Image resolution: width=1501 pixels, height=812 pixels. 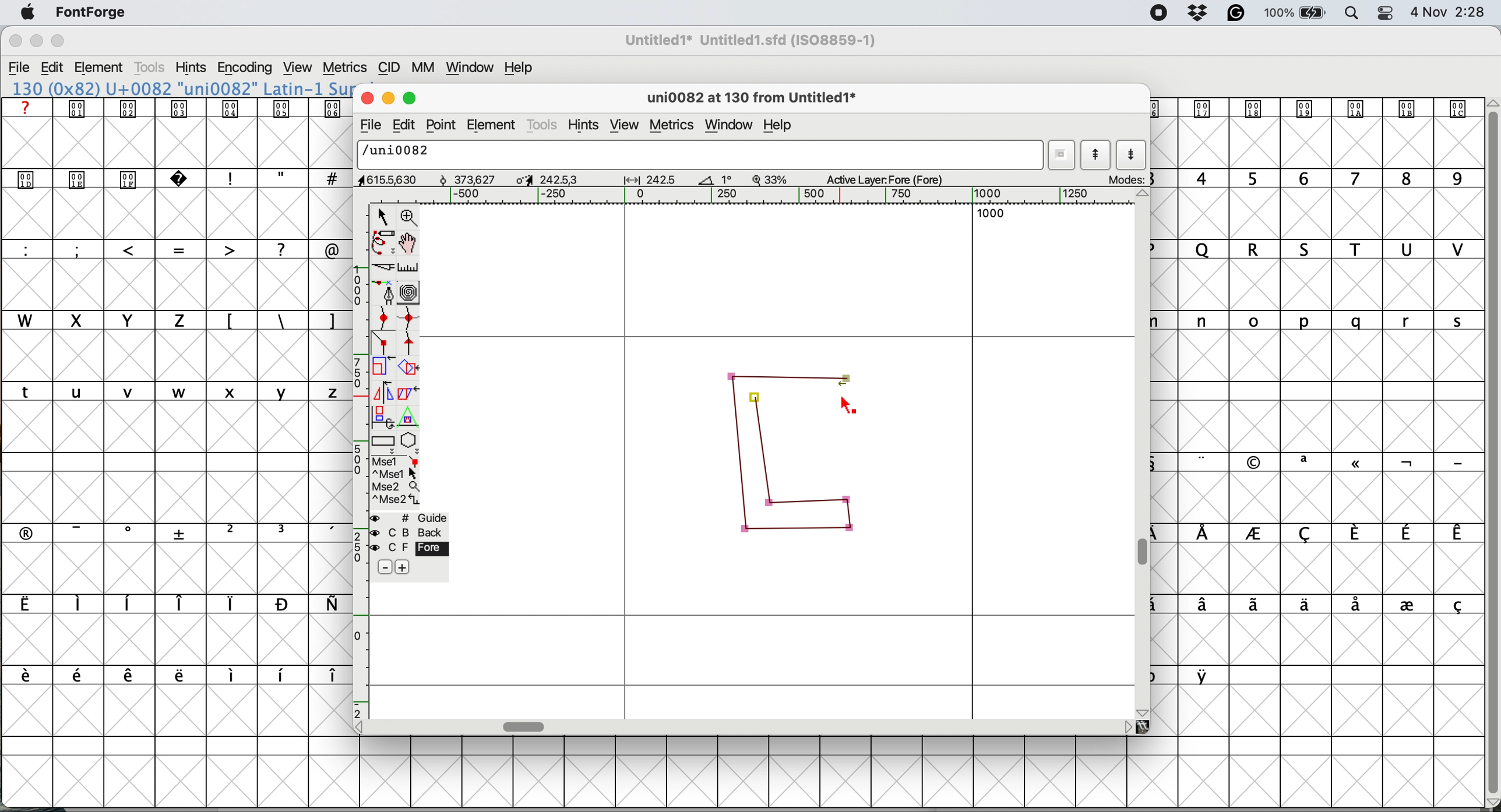 What do you see at coordinates (848, 404) in the screenshot?
I see `cursor` at bounding box center [848, 404].